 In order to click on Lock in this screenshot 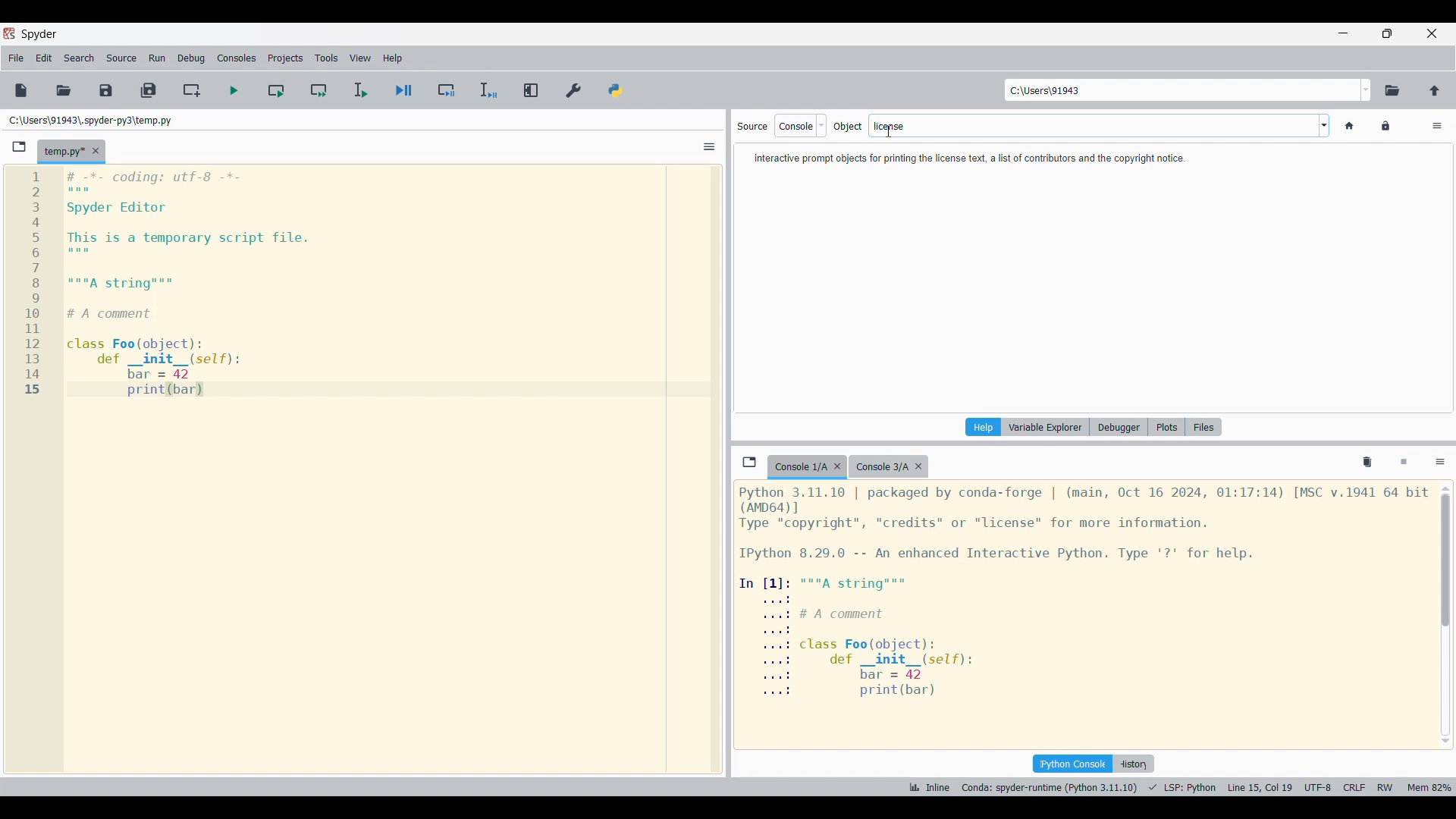, I will do `click(1385, 126)`.